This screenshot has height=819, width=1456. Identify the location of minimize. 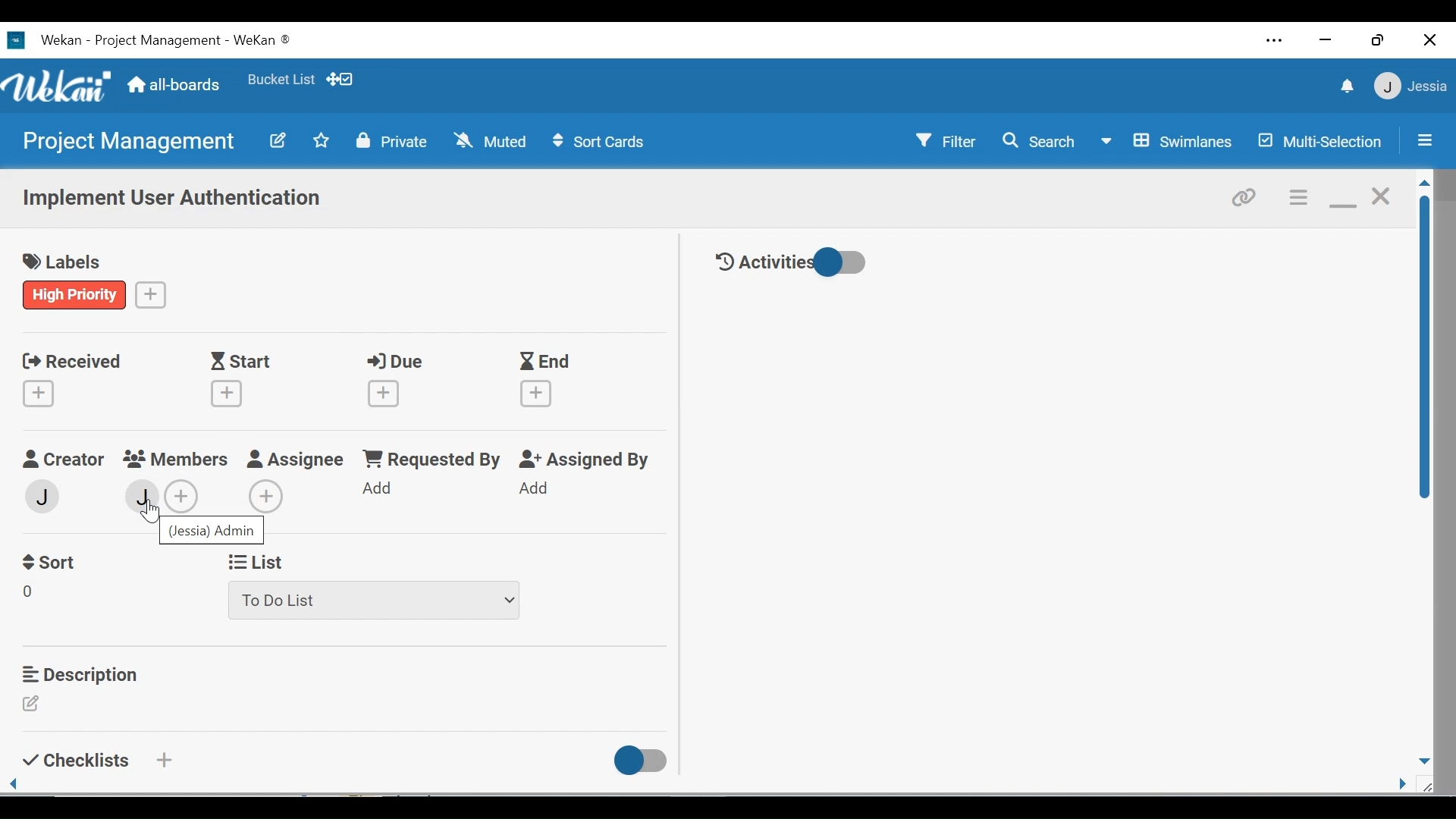
(1328, 40).